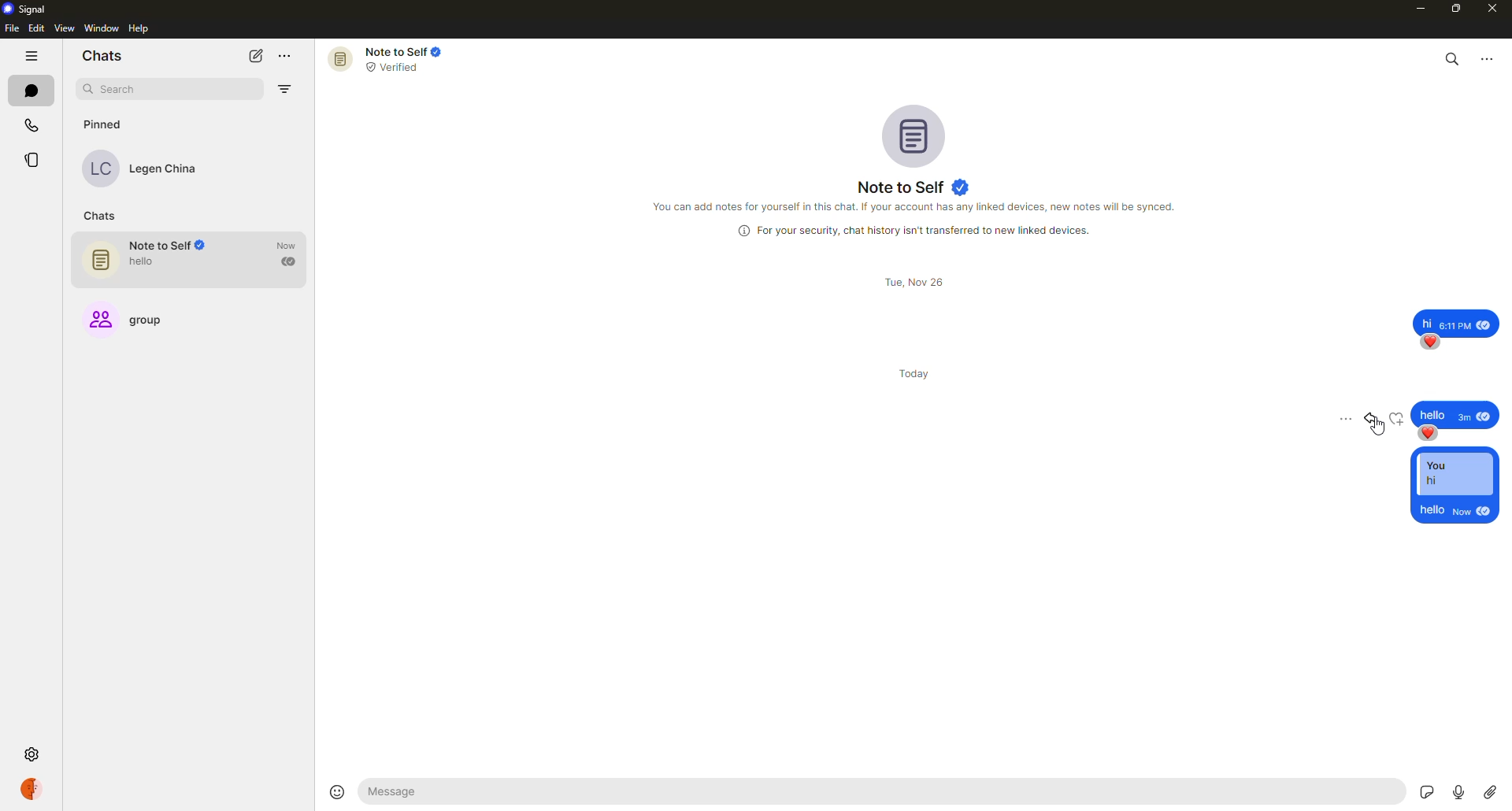  What do you see at coordinates (99, 215) in the screenshot?
I see `chats` at bounding box center [99, 215].